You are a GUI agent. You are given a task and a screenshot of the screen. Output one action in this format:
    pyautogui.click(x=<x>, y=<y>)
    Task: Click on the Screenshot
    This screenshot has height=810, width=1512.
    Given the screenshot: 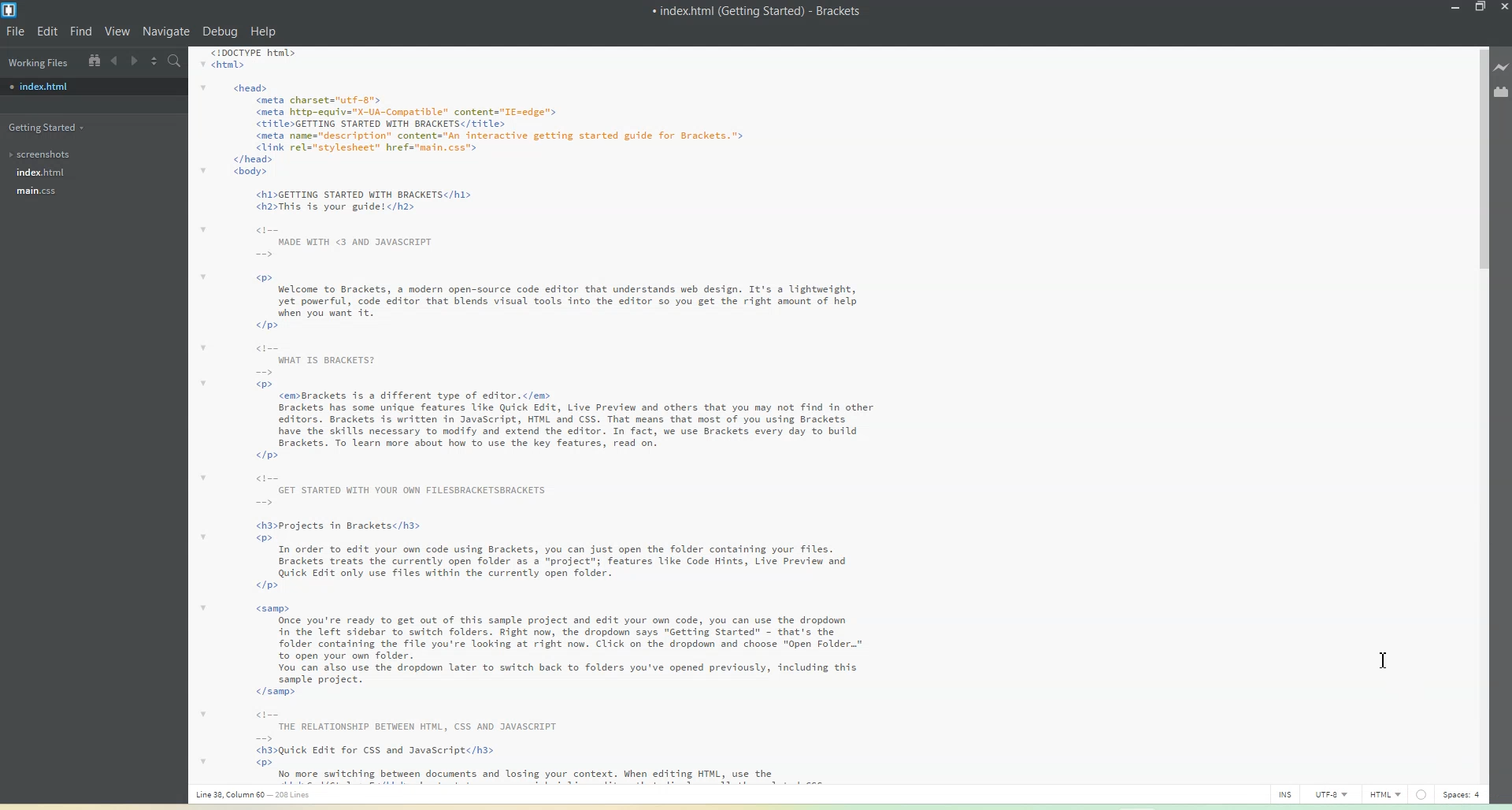 What is the action you would take?
    pyautogui.click(x=43, y=154)
    